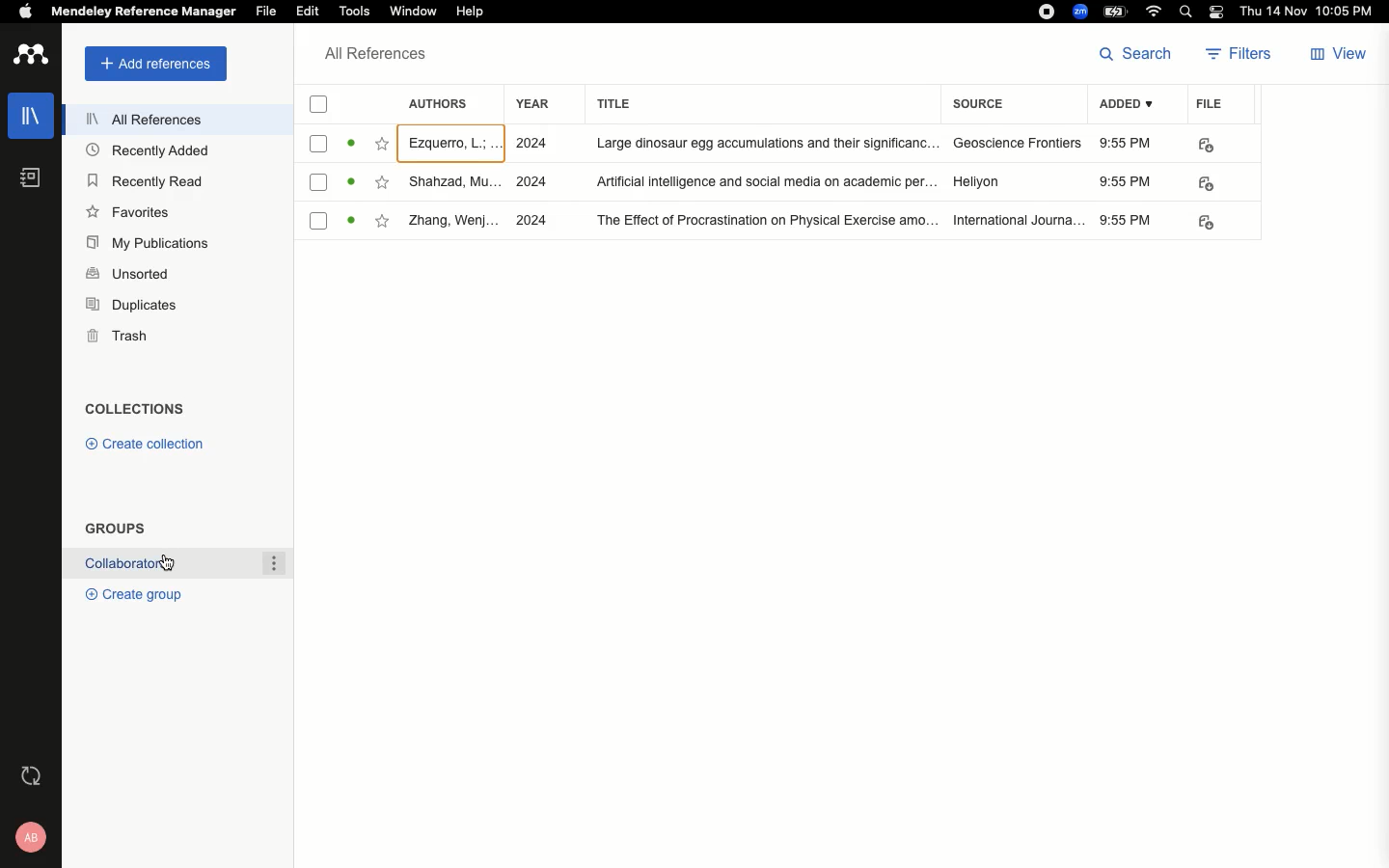 This screenshot has width=1389, height=868. What do you see at coordinates (381, 143) in the screenshot?
I see `Favorite` at bounding box center [381, 143].